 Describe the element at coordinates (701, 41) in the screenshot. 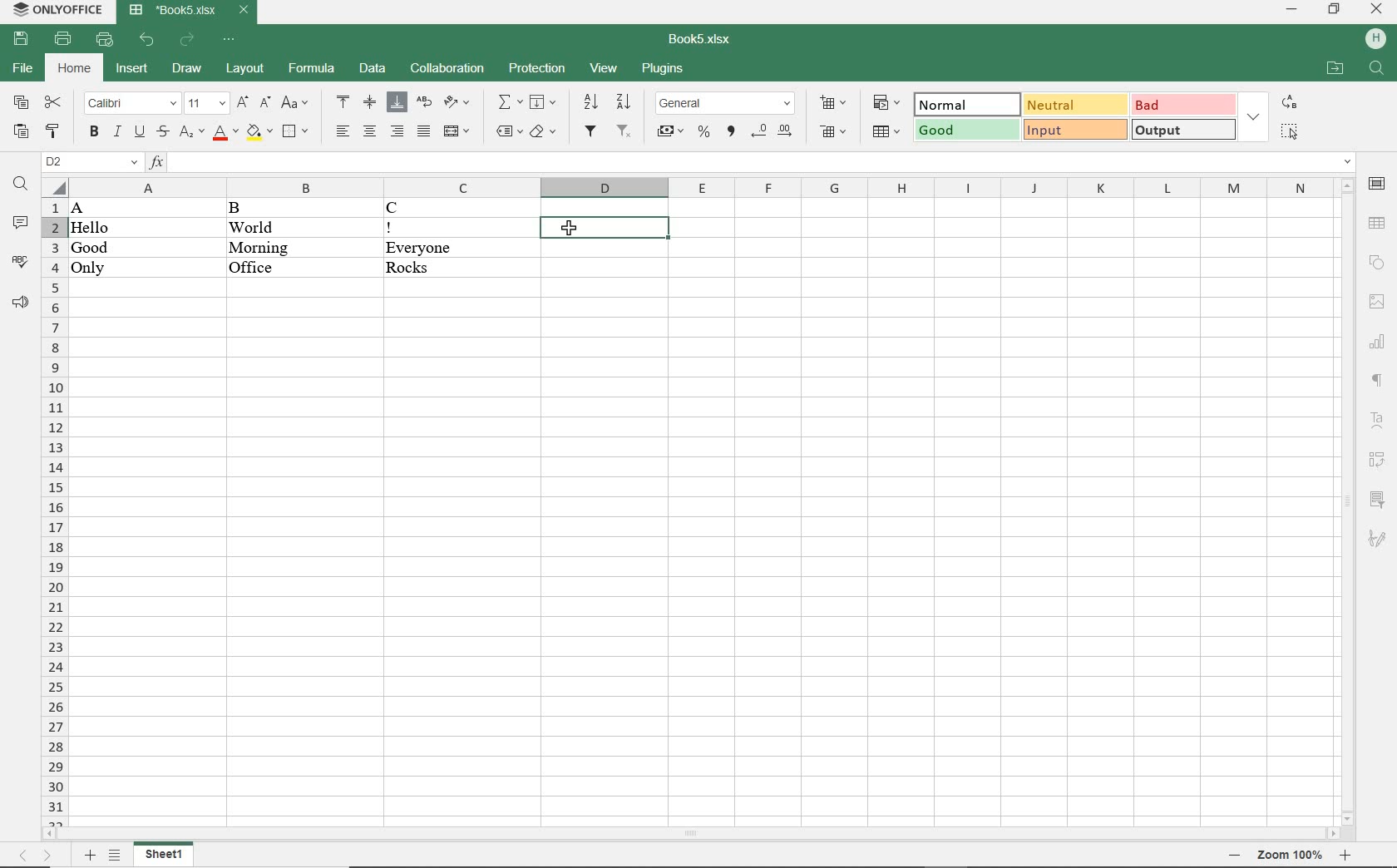

I see `DOCUMENT NAME` at that location.